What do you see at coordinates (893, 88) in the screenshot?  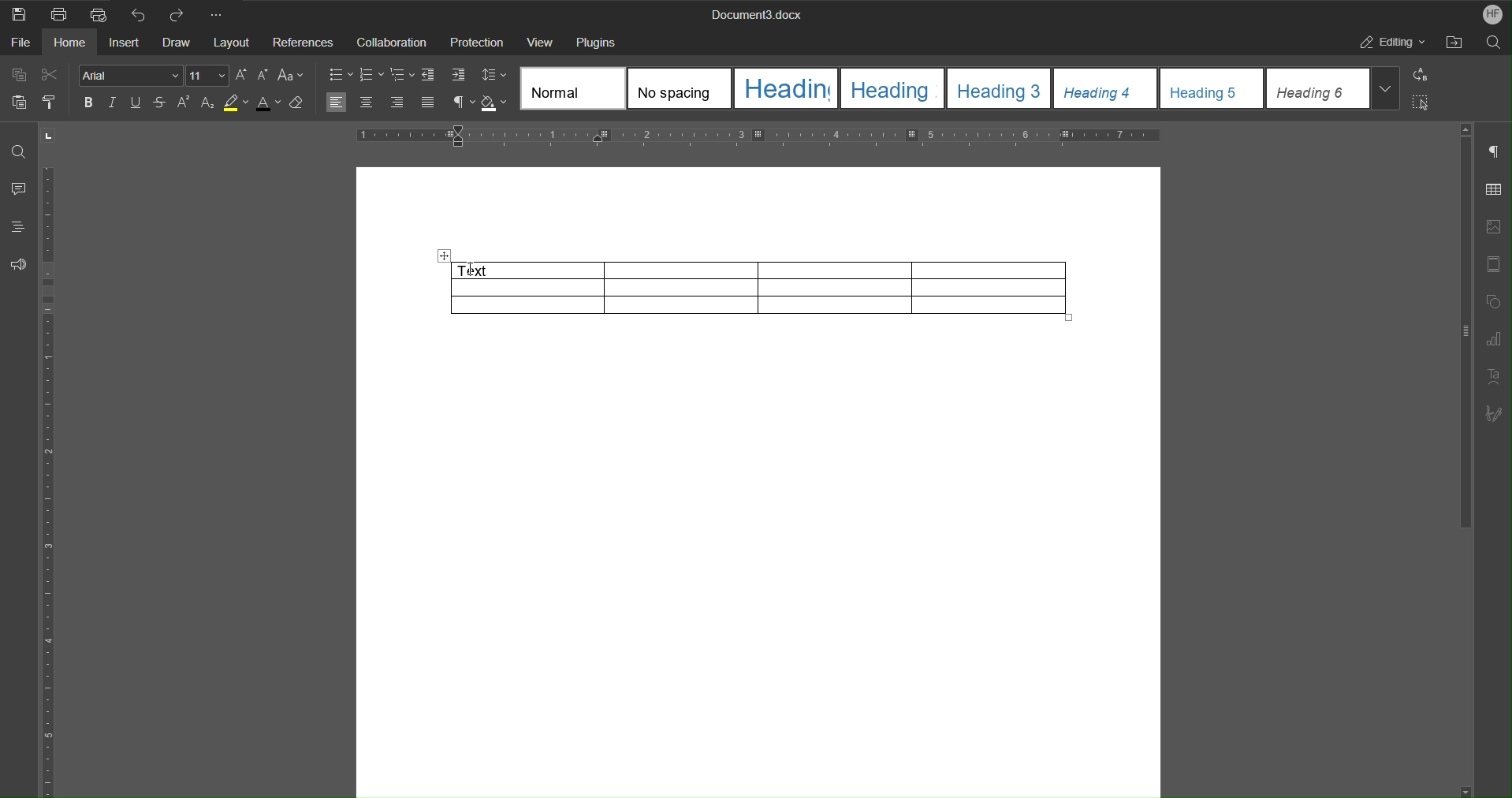 I see `Heading 2` at bounding box center [893, 88].